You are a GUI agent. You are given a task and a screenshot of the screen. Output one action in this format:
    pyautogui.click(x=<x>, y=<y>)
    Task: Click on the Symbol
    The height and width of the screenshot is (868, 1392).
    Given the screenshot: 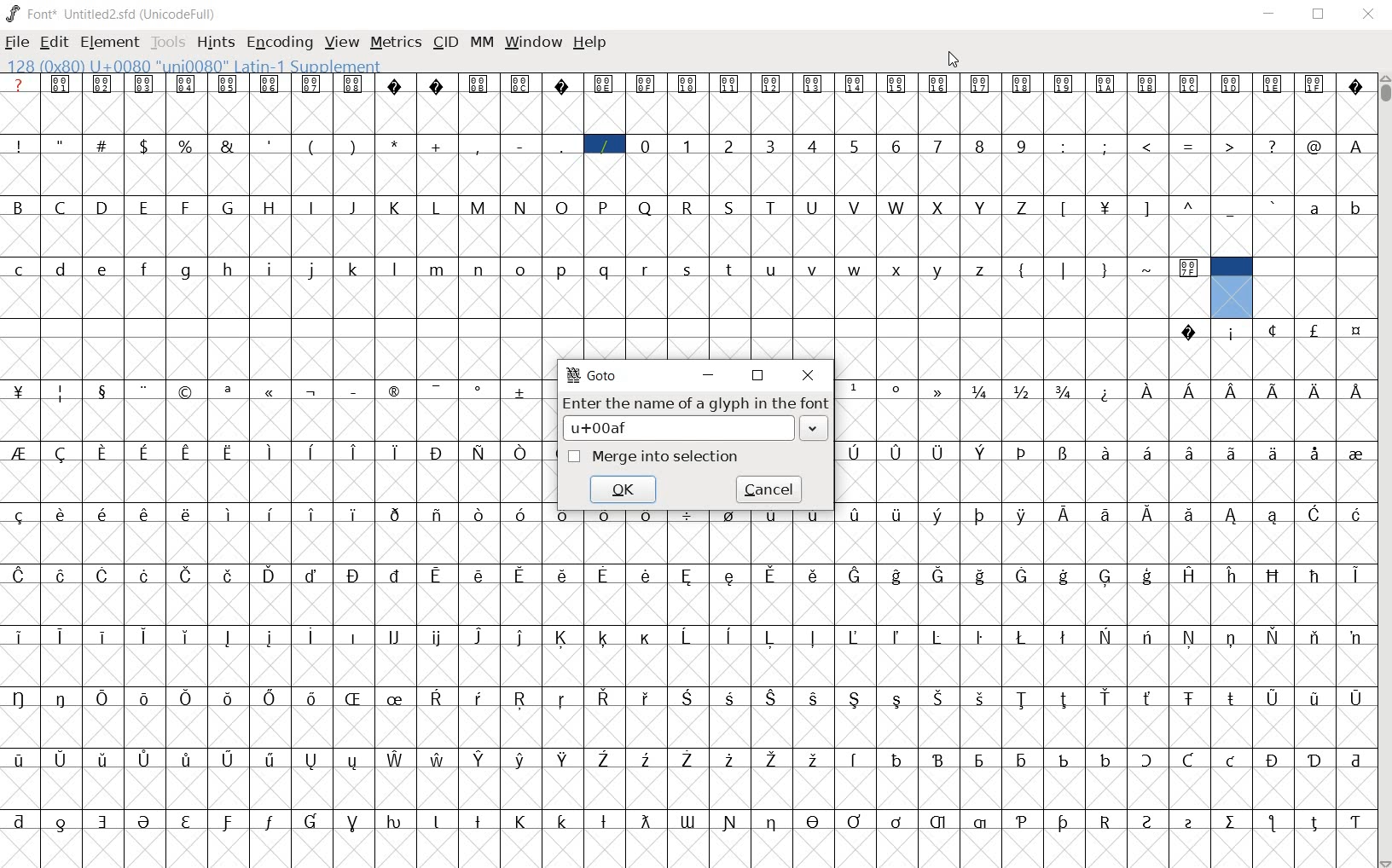 What is the action you would take?
    pyautogui.click(x=1191, y=85)
    